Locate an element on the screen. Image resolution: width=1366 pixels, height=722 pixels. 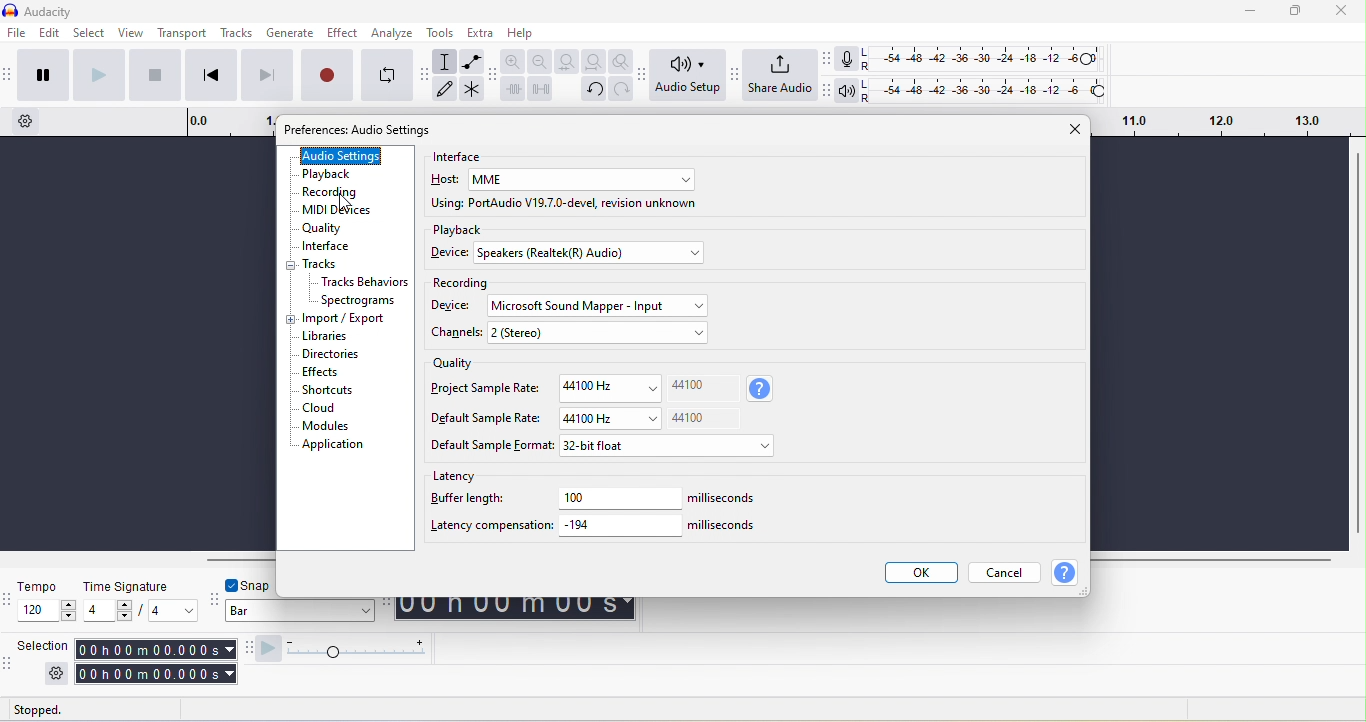
interface is located at coordinates (465, 158).